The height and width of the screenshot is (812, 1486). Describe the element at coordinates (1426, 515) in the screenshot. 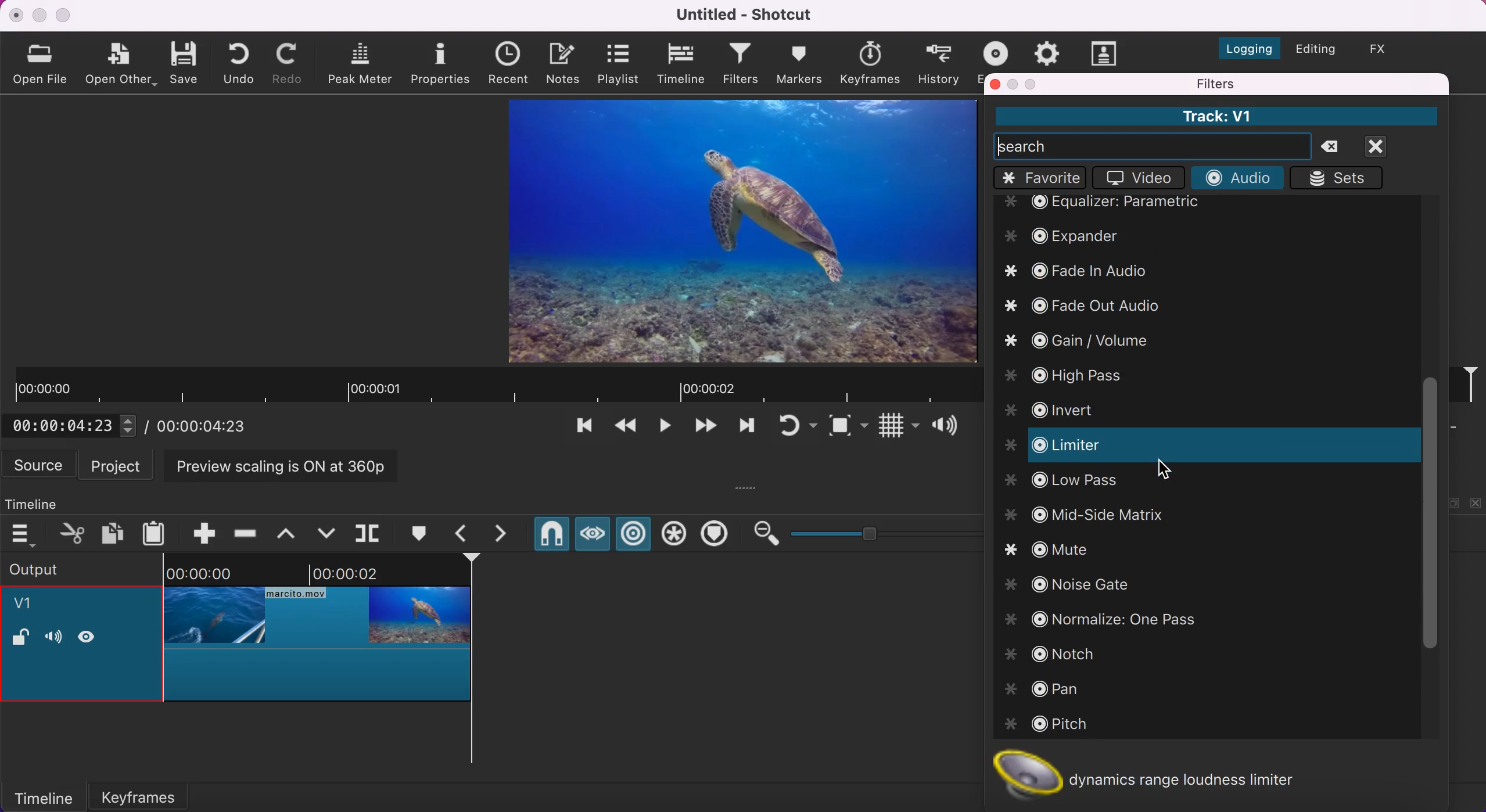

I see `scrollbar` at that location.